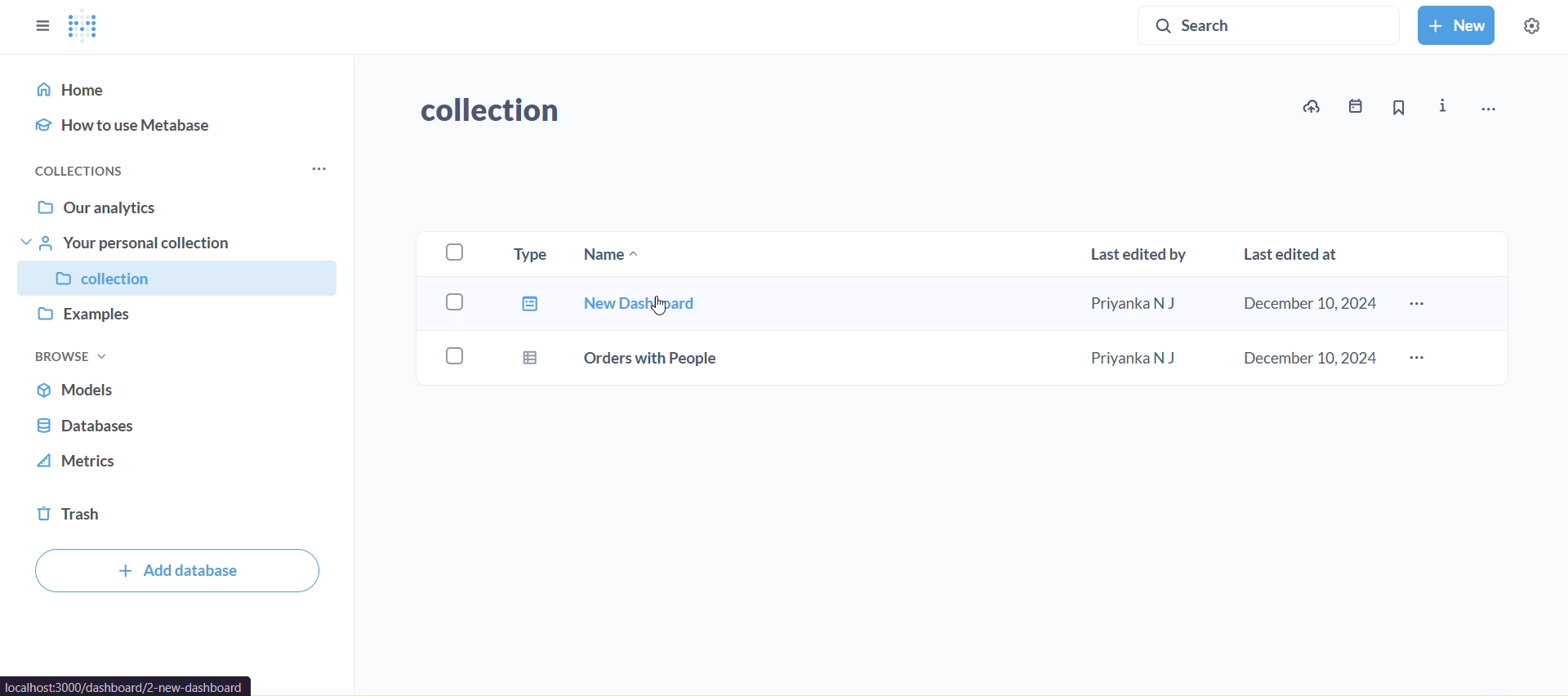  I want to click on name, so click(621, 256).